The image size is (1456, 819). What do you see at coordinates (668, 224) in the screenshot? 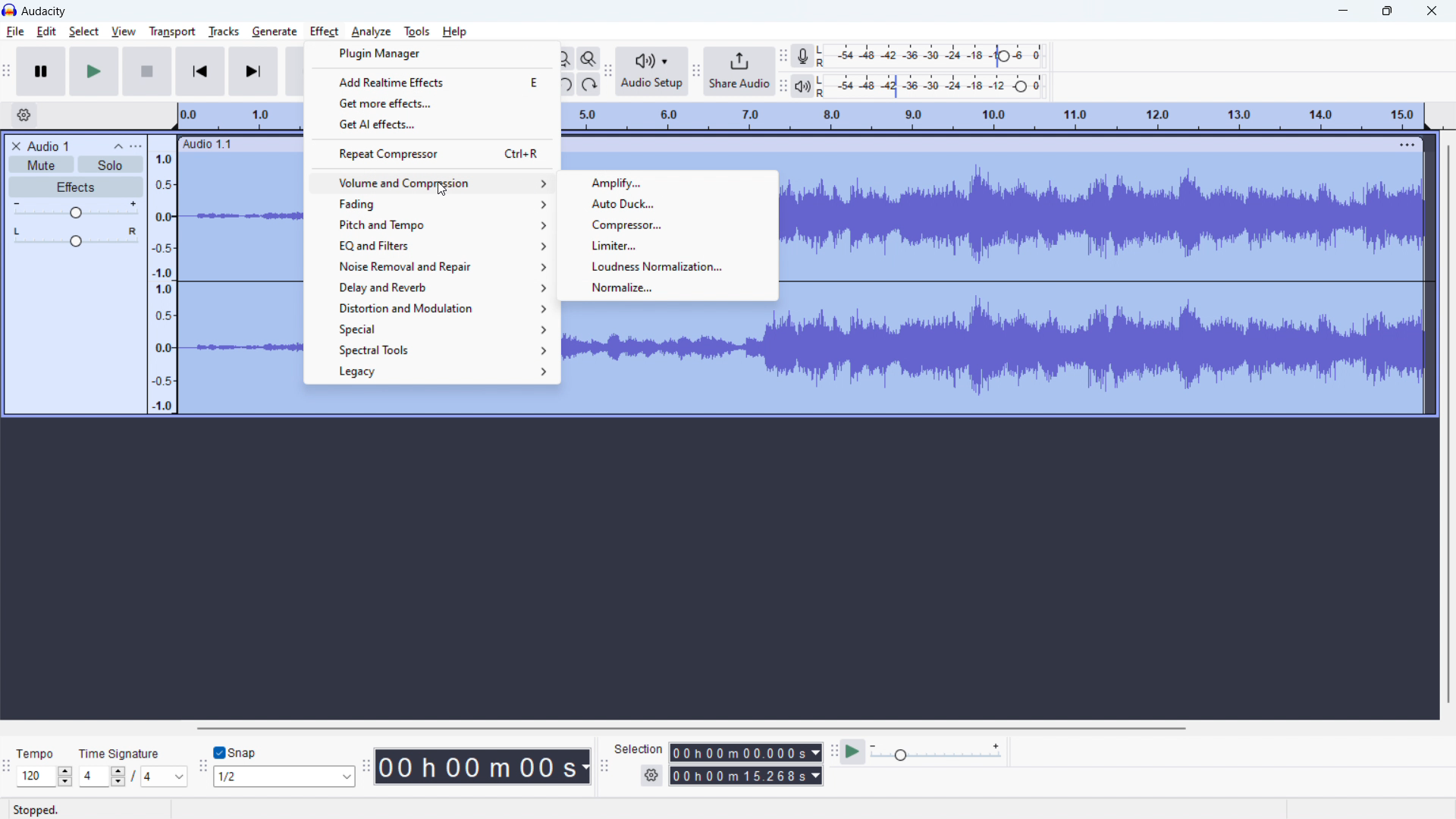
I see `compressor` at bounding box center [668, 224].